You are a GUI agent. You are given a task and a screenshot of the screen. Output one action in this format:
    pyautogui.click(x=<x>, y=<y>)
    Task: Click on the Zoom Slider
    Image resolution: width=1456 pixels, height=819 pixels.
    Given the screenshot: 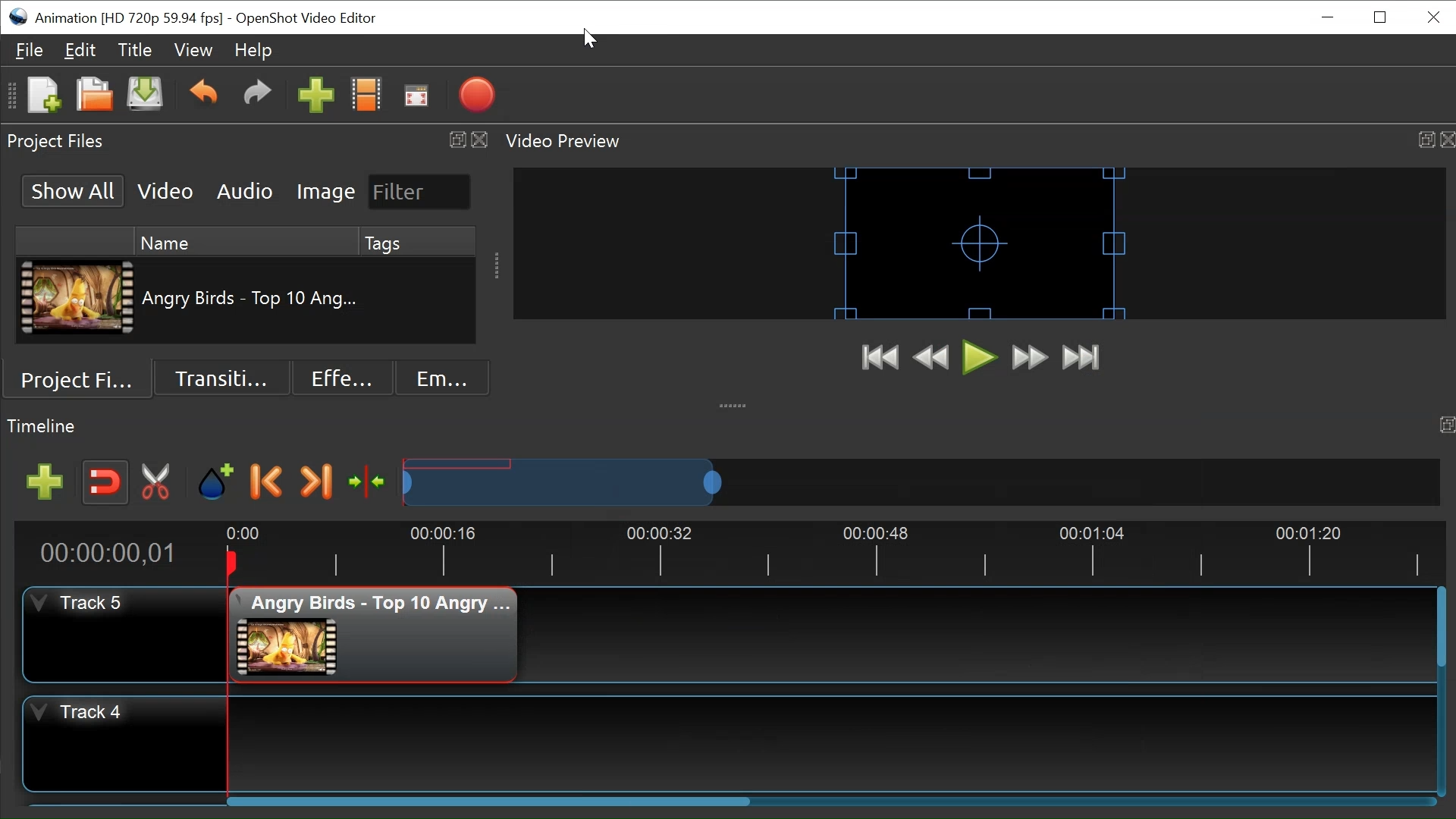 What is the action you would take?
    pyautogui.click(x=920, y=482)
    